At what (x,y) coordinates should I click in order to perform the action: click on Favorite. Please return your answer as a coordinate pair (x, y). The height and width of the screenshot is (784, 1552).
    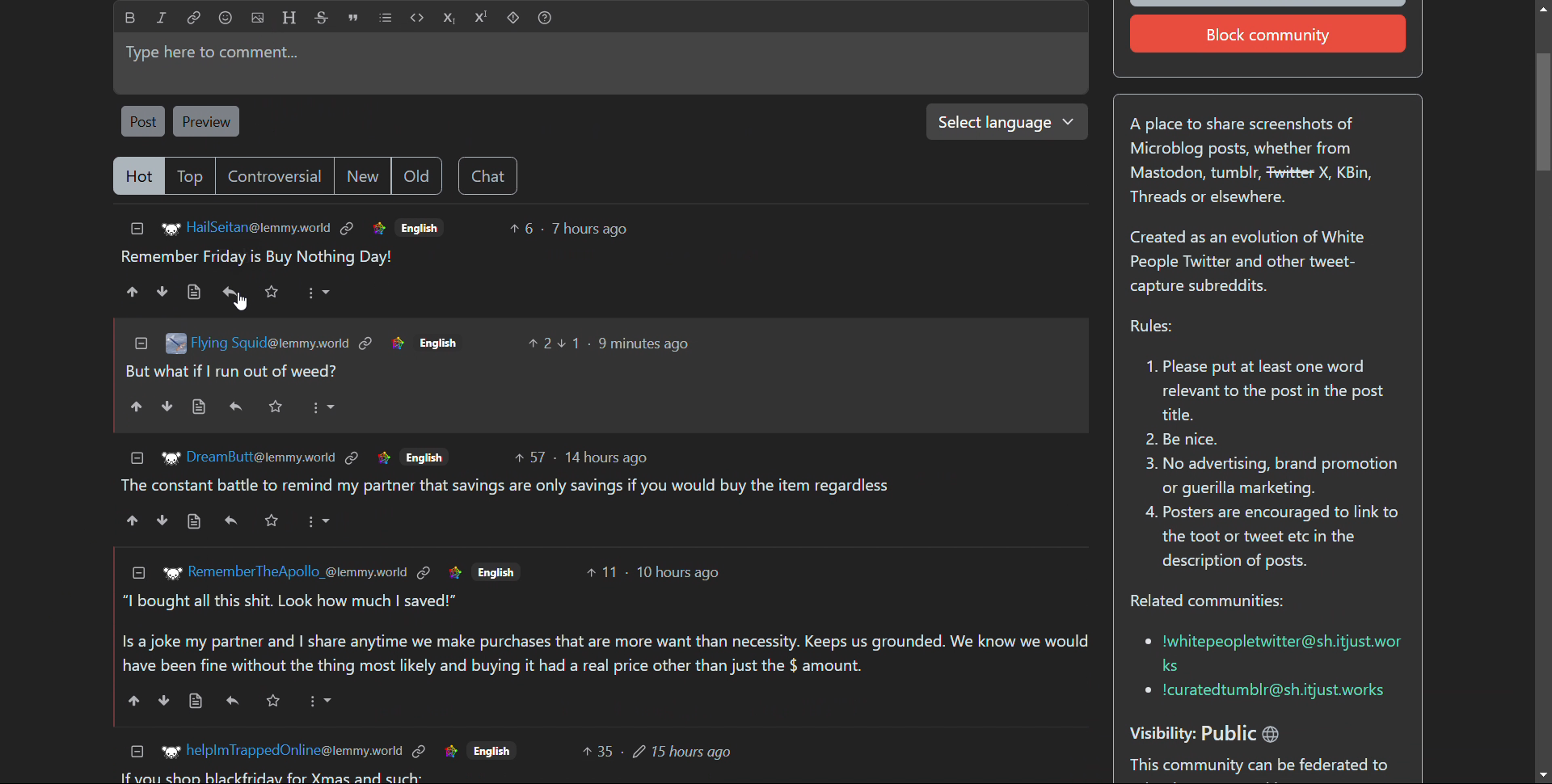
    Looking at the image, I should click on (272, 701).